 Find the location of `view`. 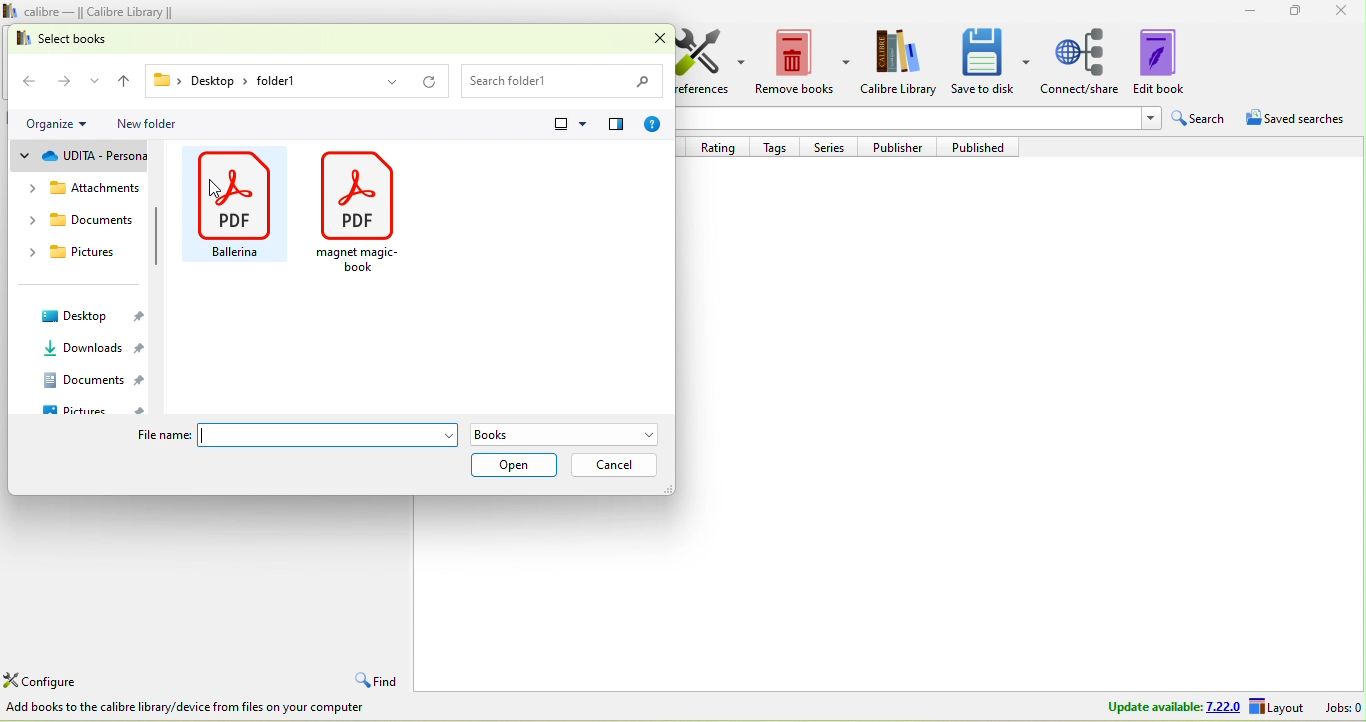

view is located at coordinates (578, 124).